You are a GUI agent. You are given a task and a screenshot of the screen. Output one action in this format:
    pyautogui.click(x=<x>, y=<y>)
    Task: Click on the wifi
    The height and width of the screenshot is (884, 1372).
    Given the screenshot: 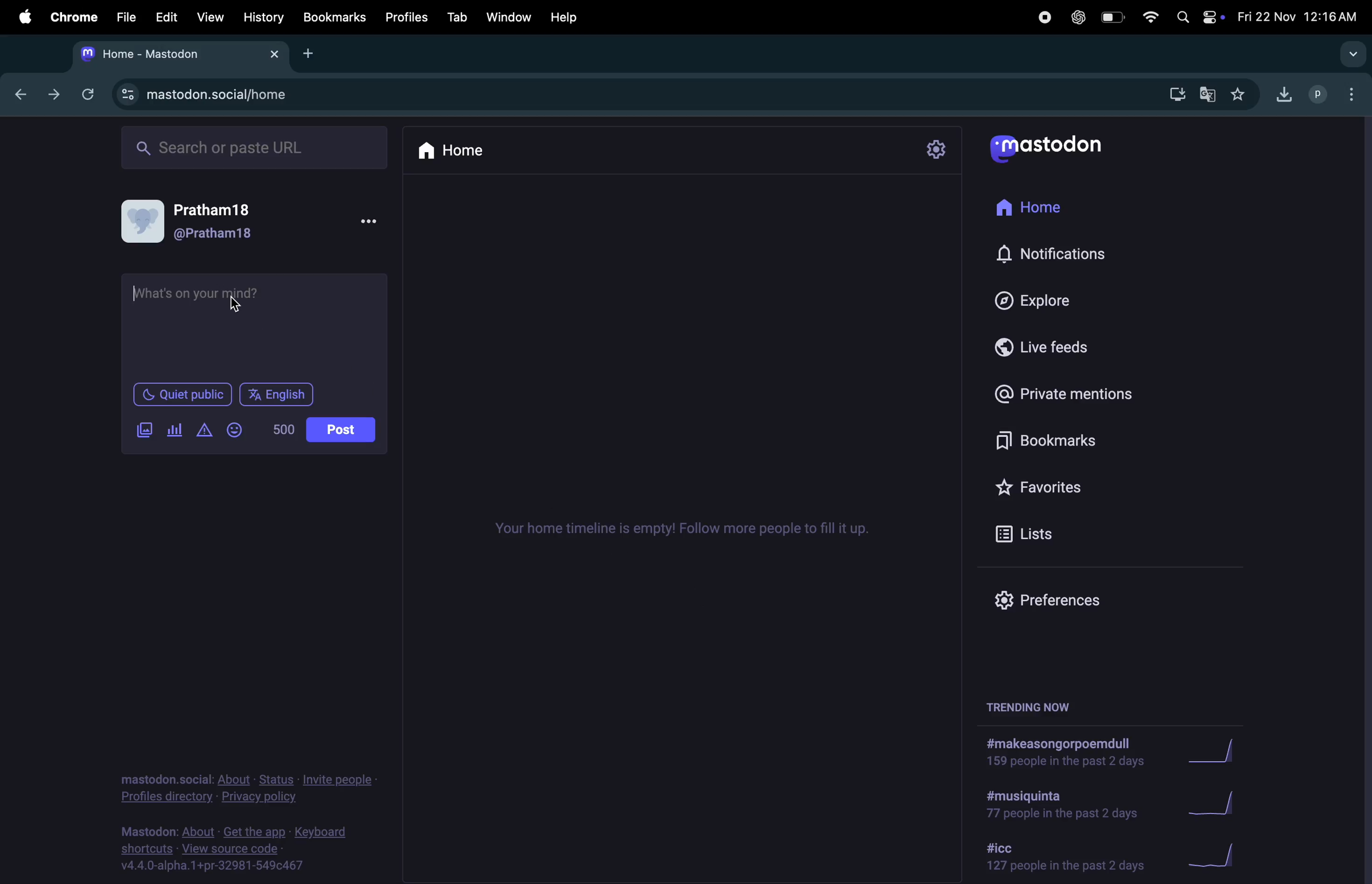 What is the action you would take?
    pyautogui.click(x=1148, y=18)
    